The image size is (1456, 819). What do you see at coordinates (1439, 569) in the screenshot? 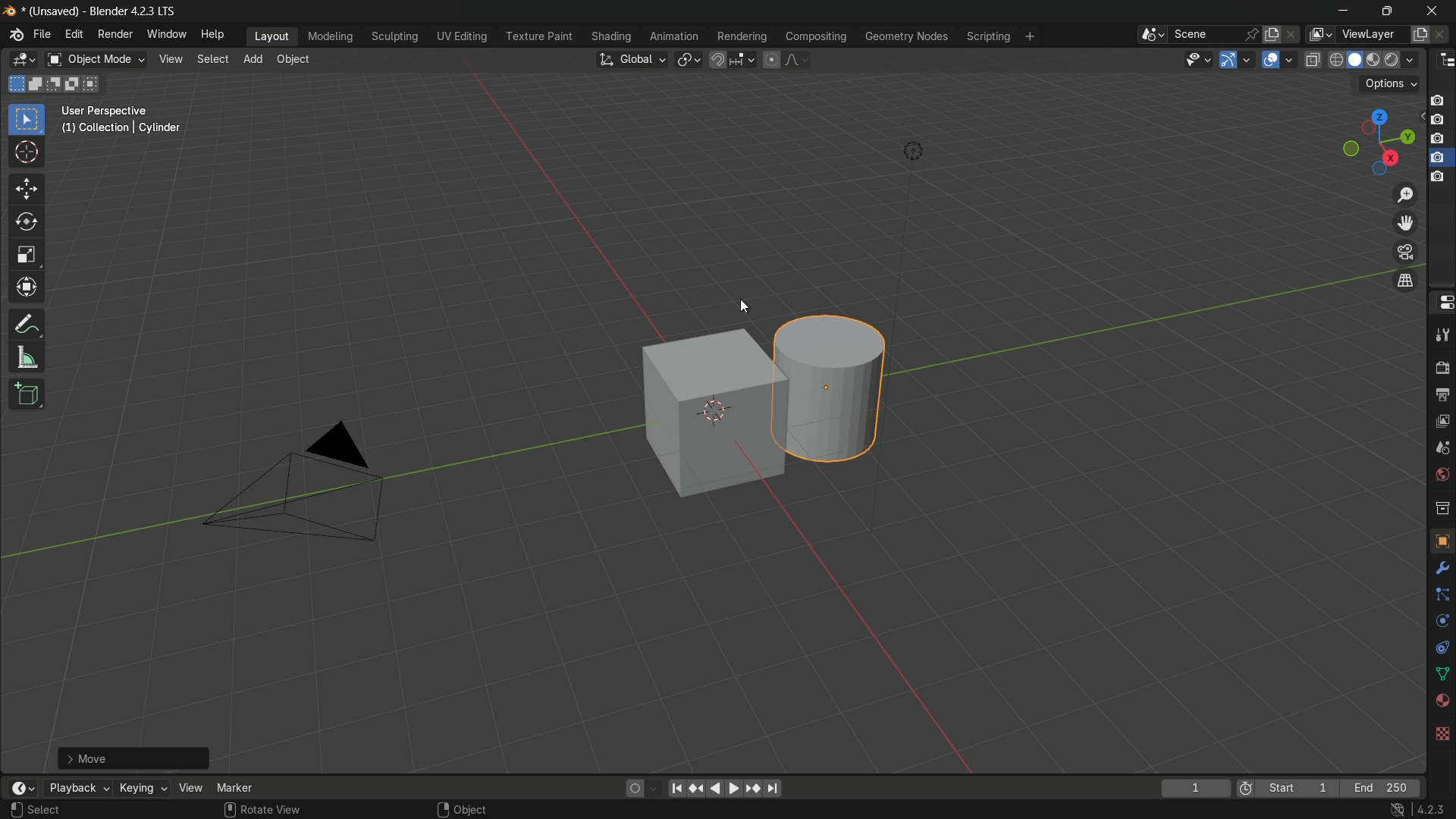
I see `settings` at bounding box center [1439, 569].